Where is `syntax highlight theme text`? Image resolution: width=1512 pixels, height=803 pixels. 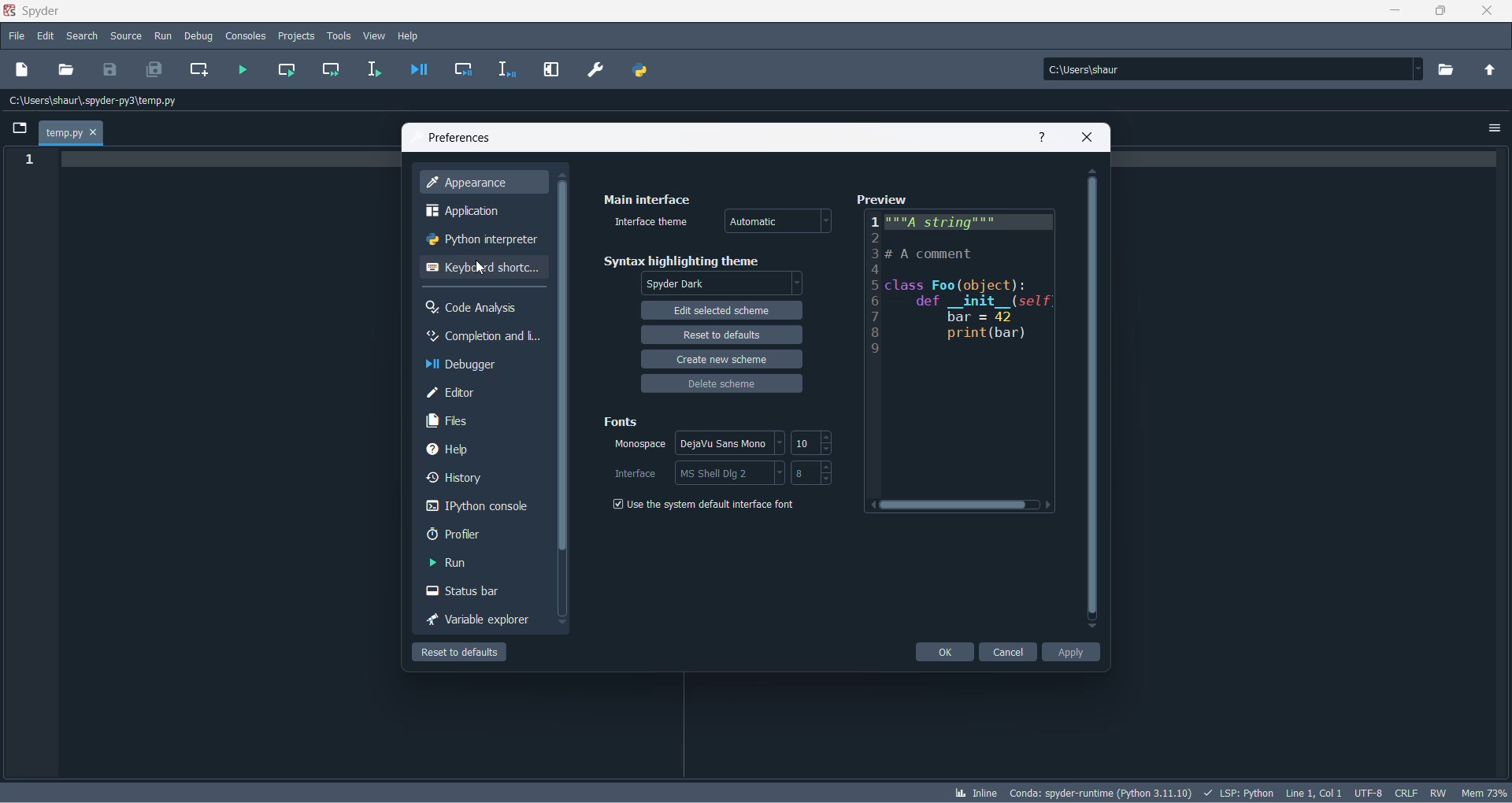 syntax highlight theme text is located at coordinates (689, 258).